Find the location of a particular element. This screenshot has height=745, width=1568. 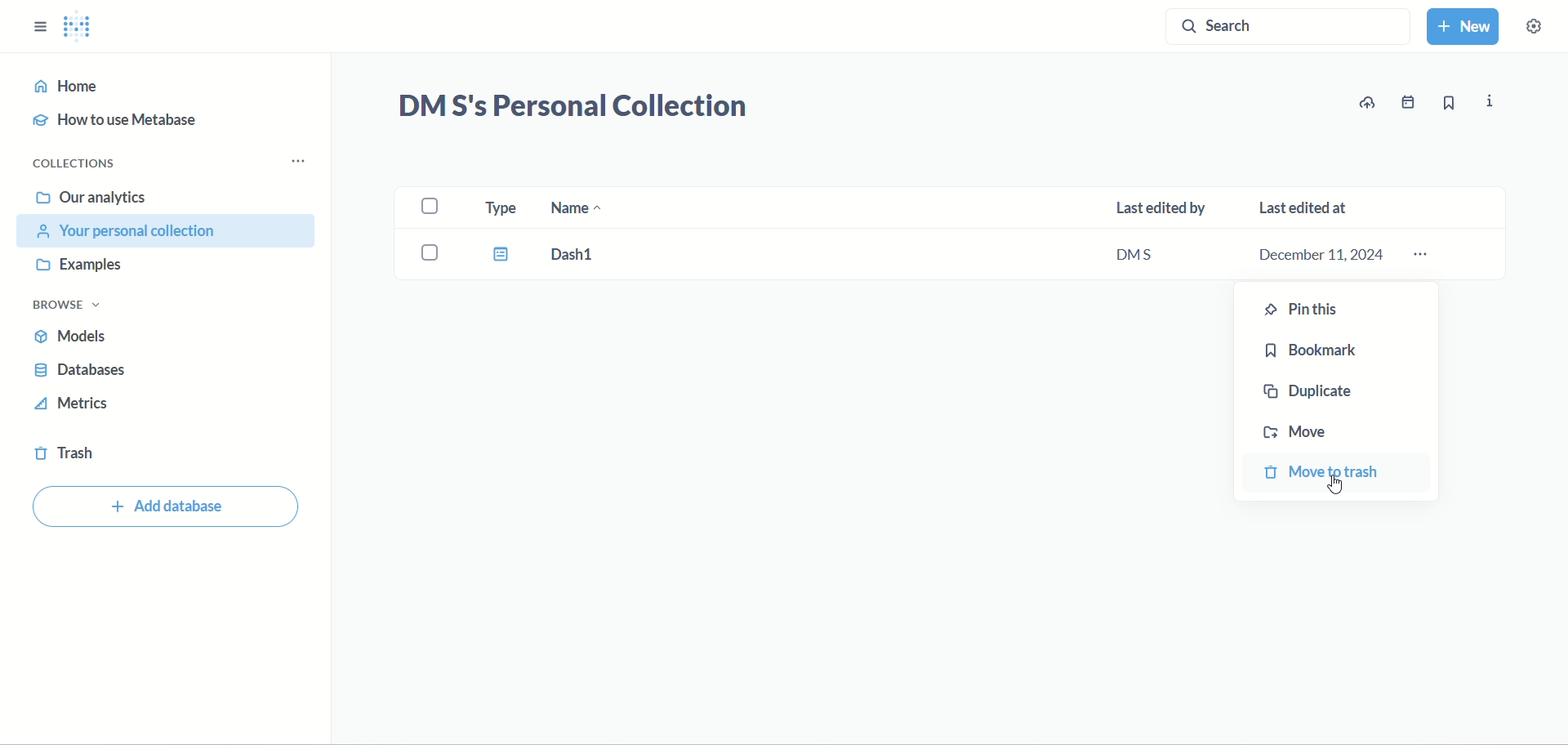

home is located at coordinates (160, 87).